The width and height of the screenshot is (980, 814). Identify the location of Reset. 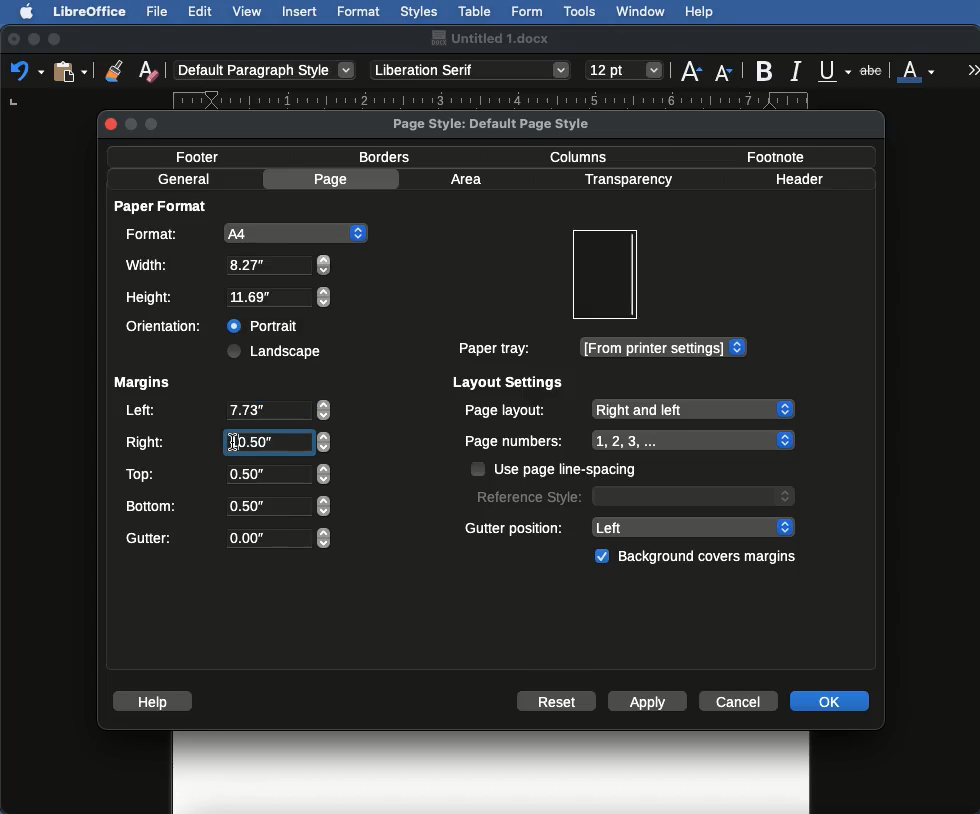
(557, 703).